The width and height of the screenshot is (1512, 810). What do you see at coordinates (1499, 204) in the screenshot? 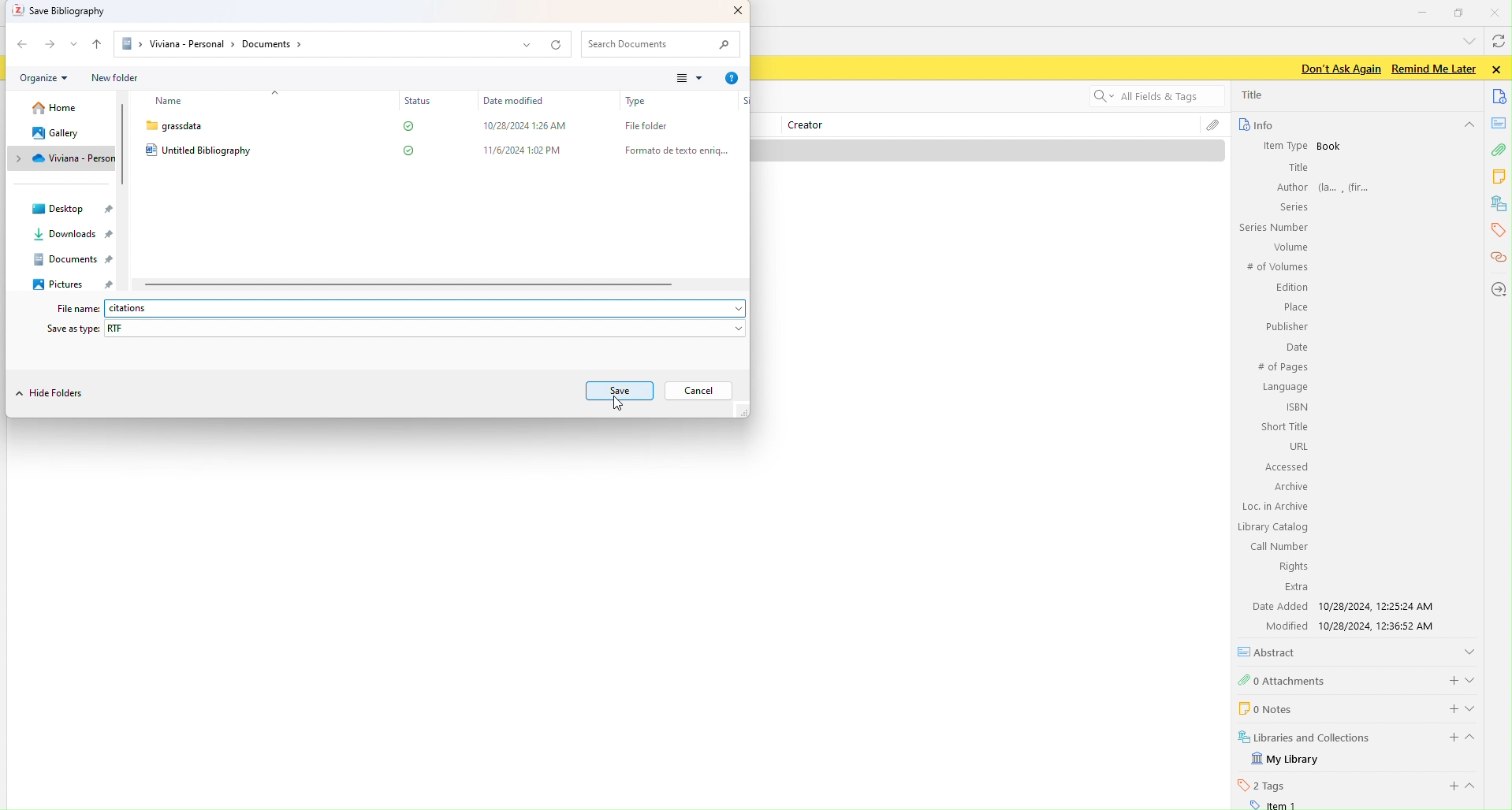
I see `libraries` at bounding box center [1499, 204].